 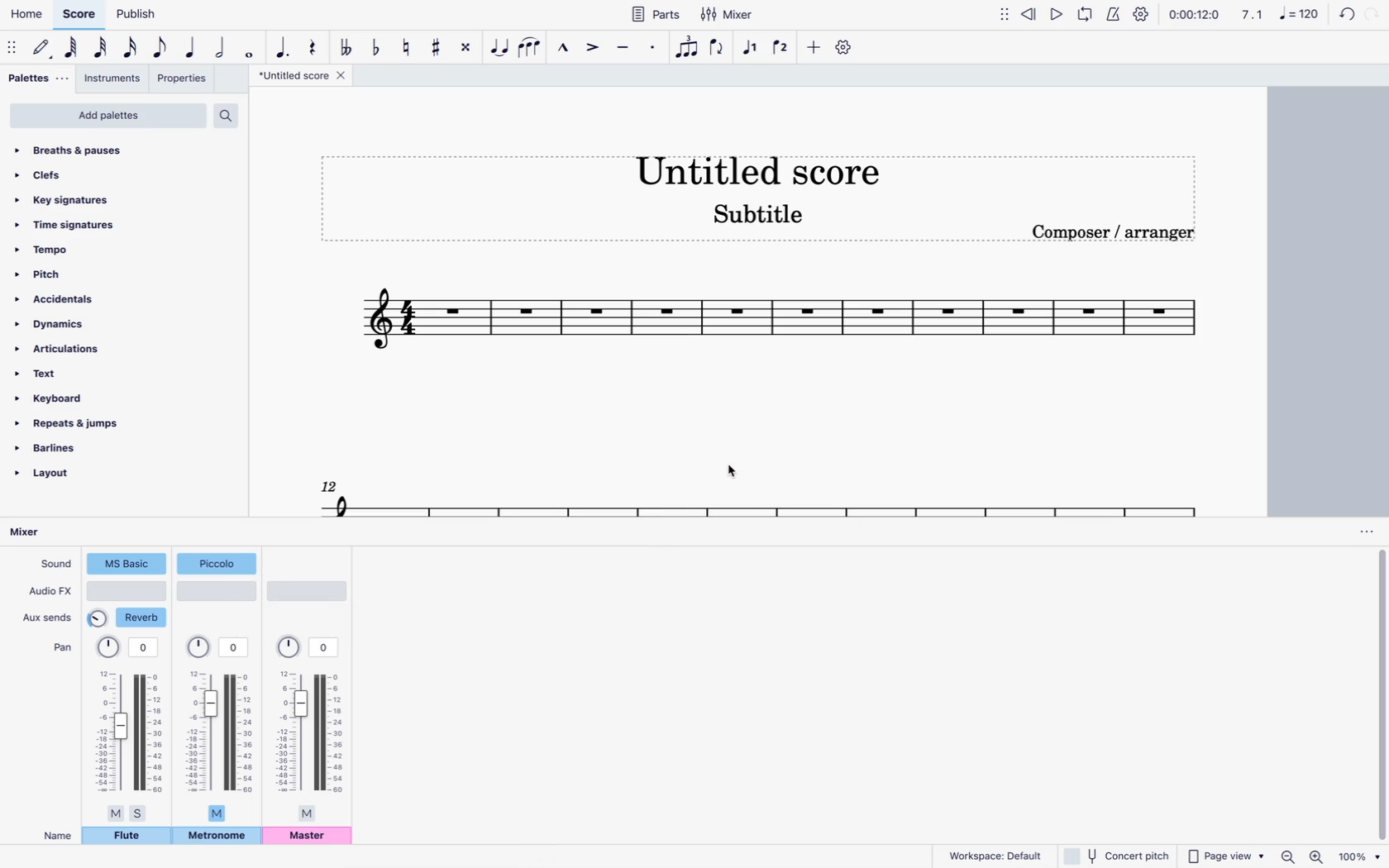 What do you see at coordinates (845, 48) in the screenshot?
I see `settings` at bounding box center [845, 48].